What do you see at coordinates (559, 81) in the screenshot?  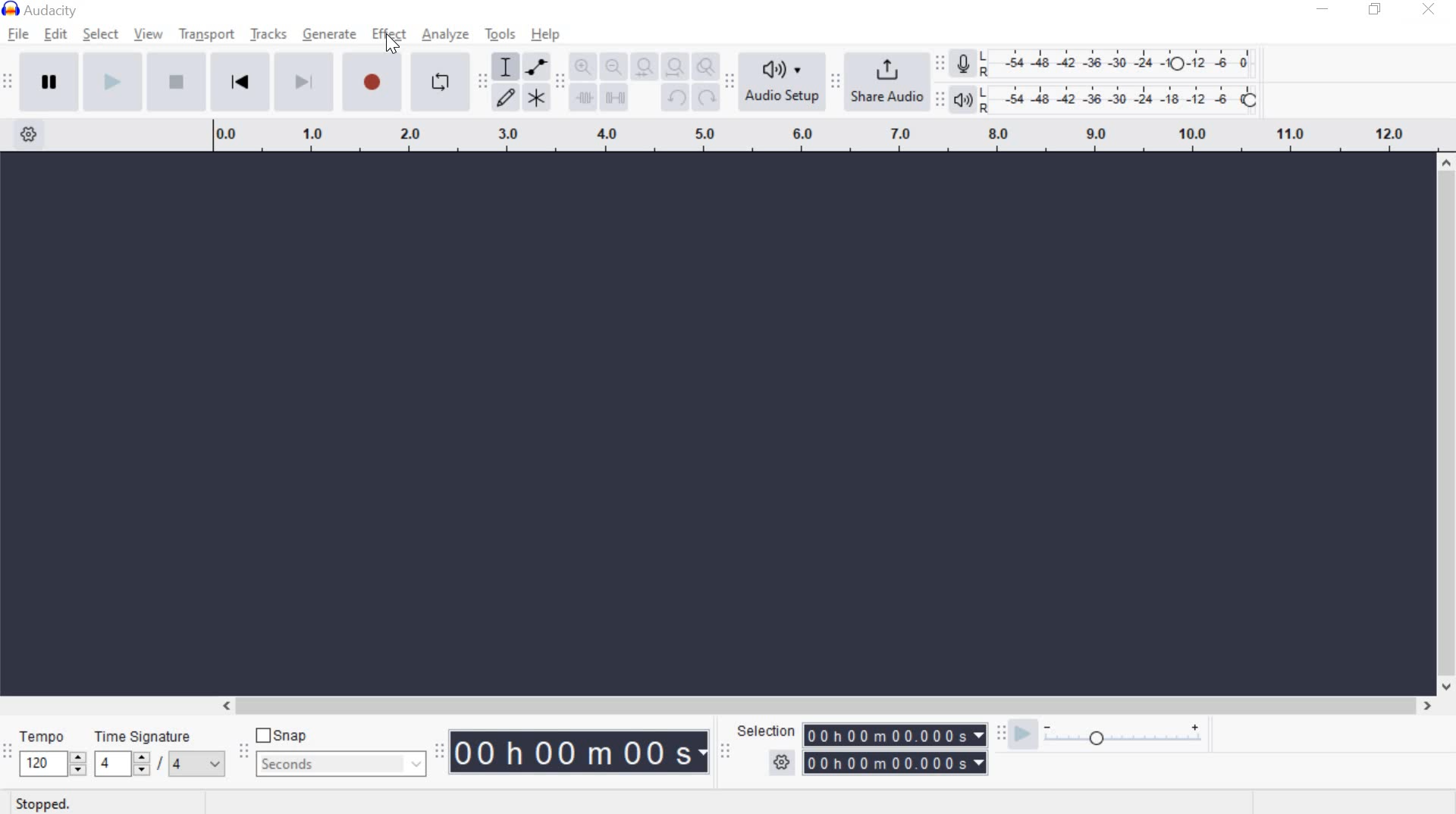 I see `Edit Toolbar` at bounding box center [559, 81].